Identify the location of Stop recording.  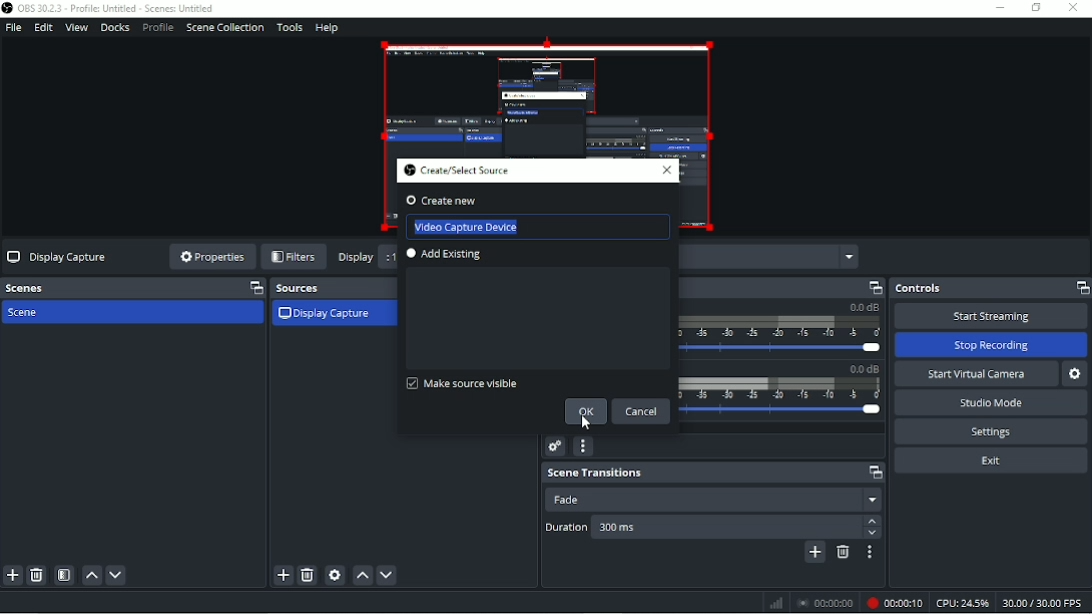
(989, 344).